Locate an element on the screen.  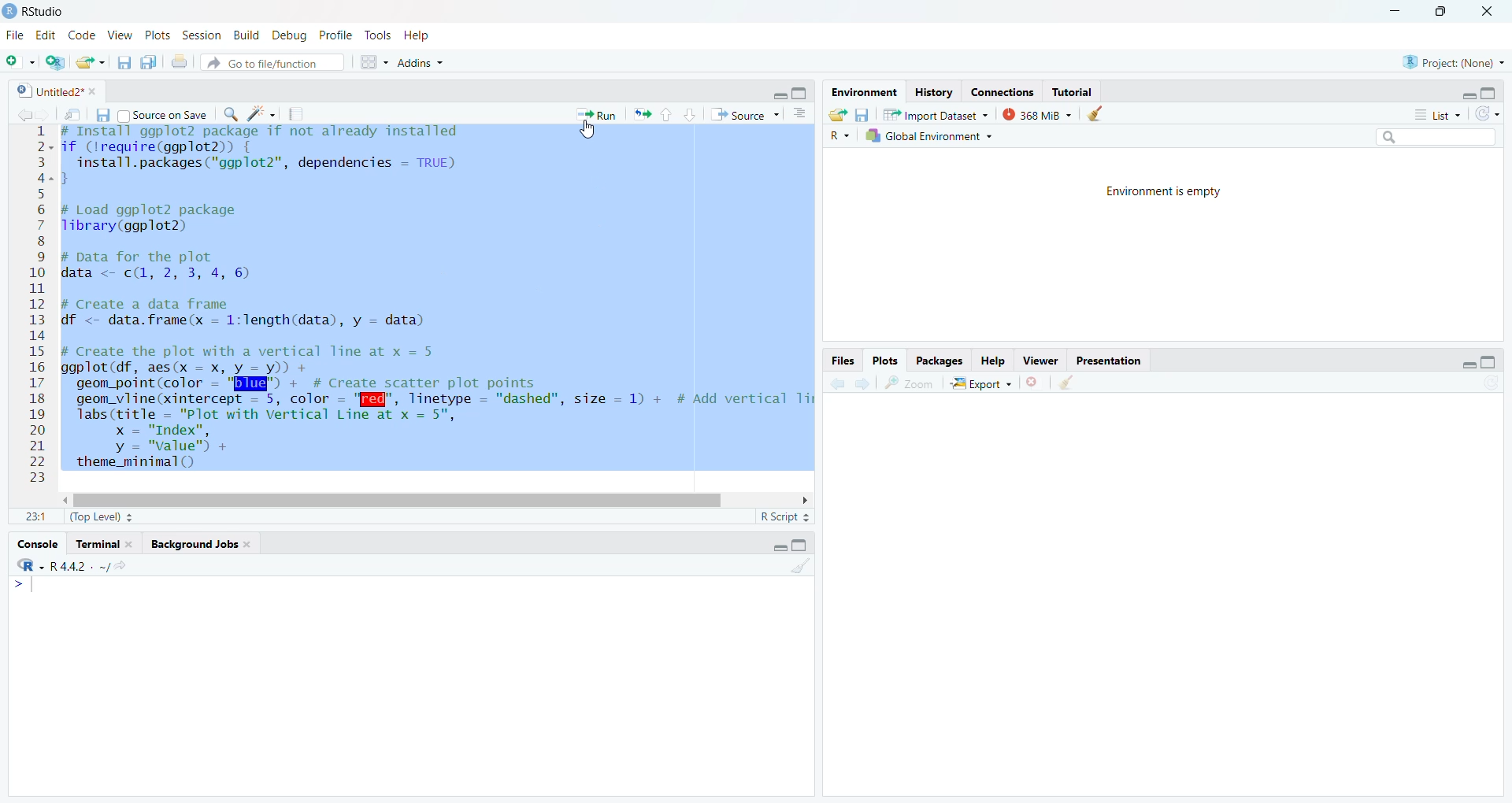
Connections is located at coordinates (1006, 91).